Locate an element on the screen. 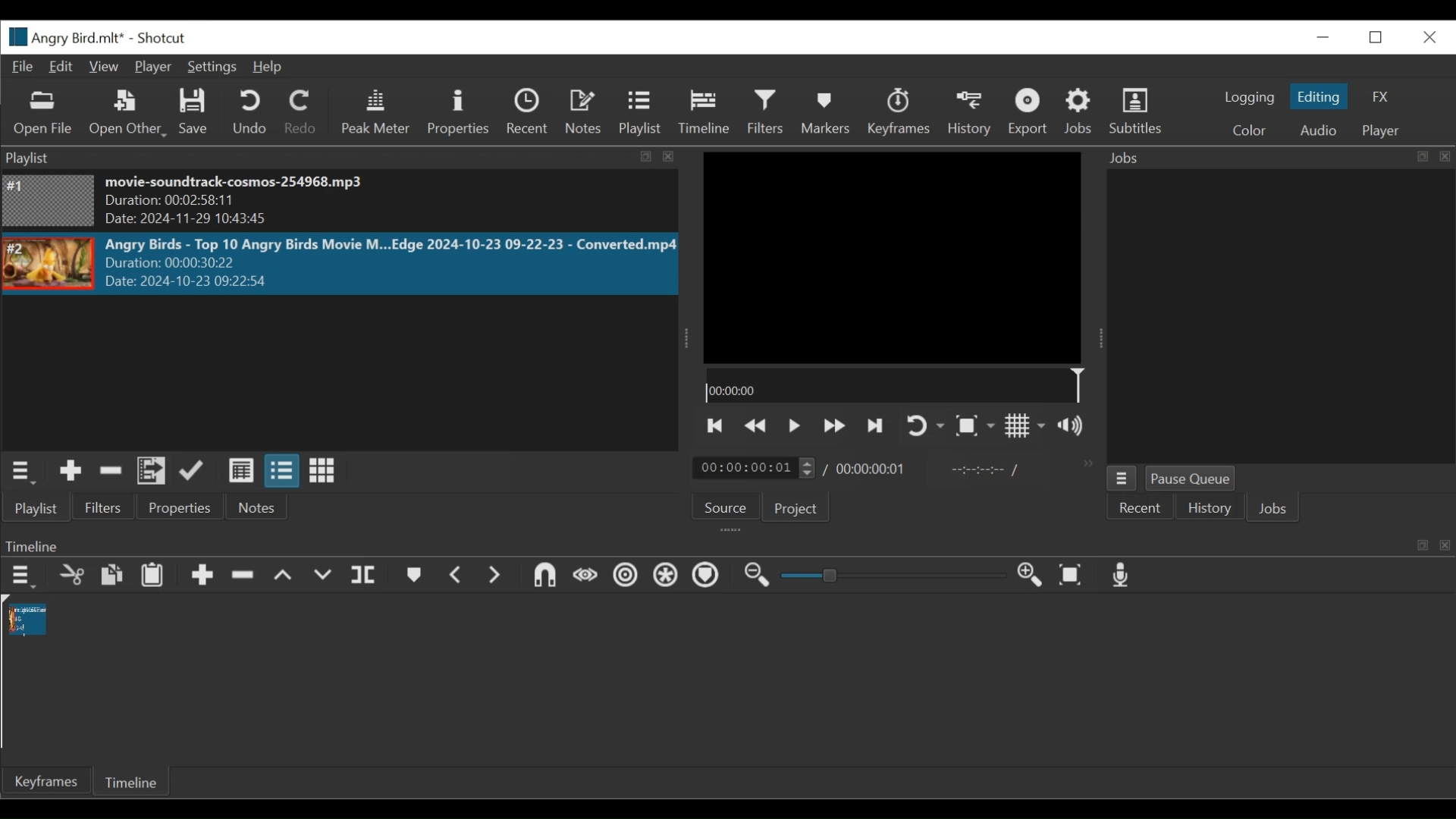 The width and height of the screenshot is (1456, 819). Subtitles is located at coordinates (1141, 113).